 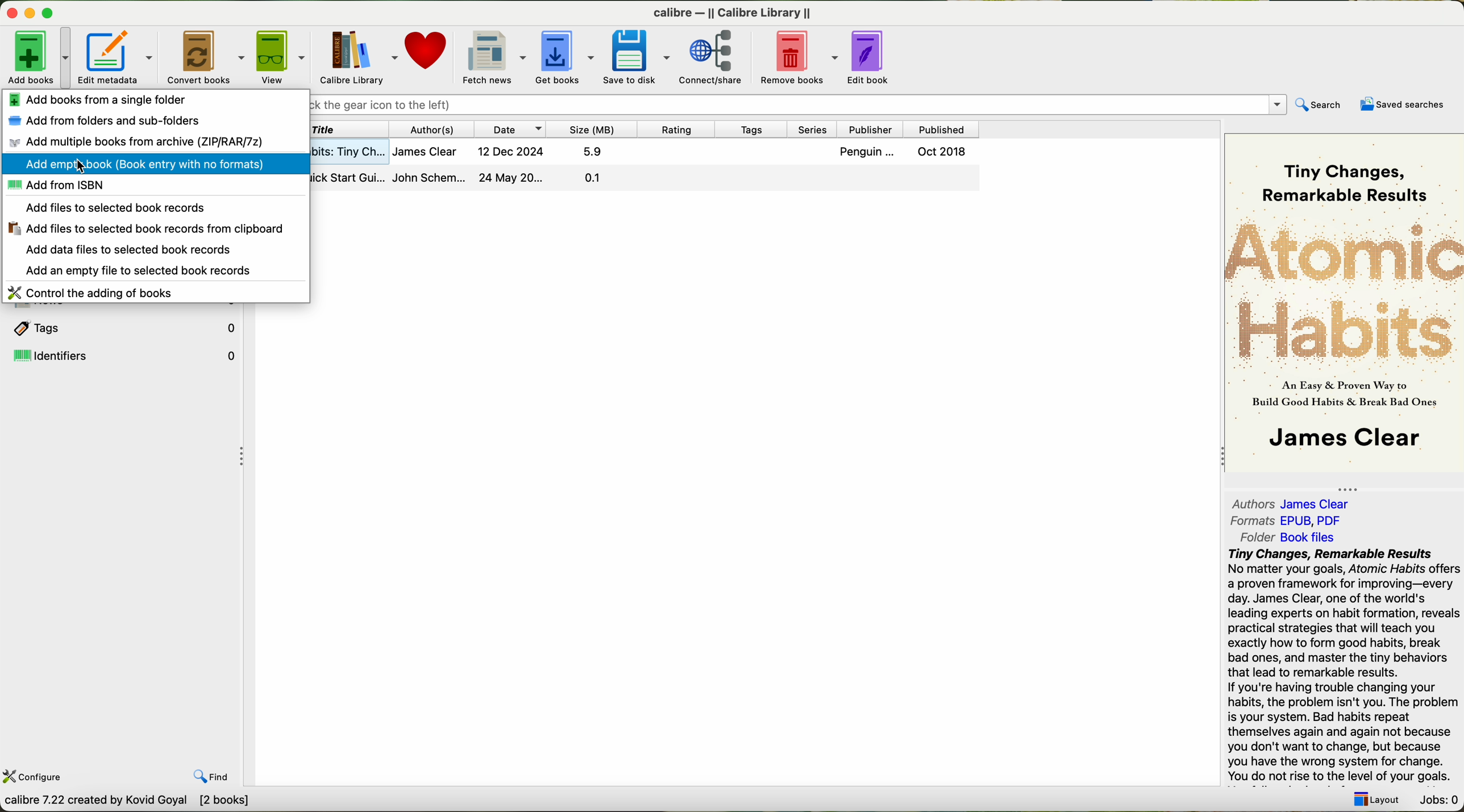 What do you see at coordinates (1336, 665) in the screenshot?
I see `try changes remarkable results no matter your goals ,Atomic Habits offers a proven framework for improvity every day ,James Clear one of the word's leading expert on habit formation reveals practice startegies that will teach you howto form break bad ones and improve tiny beahbviors turn in ramarkable results.you do not rise to the level of your goals` at bounding box center [1336, 665].